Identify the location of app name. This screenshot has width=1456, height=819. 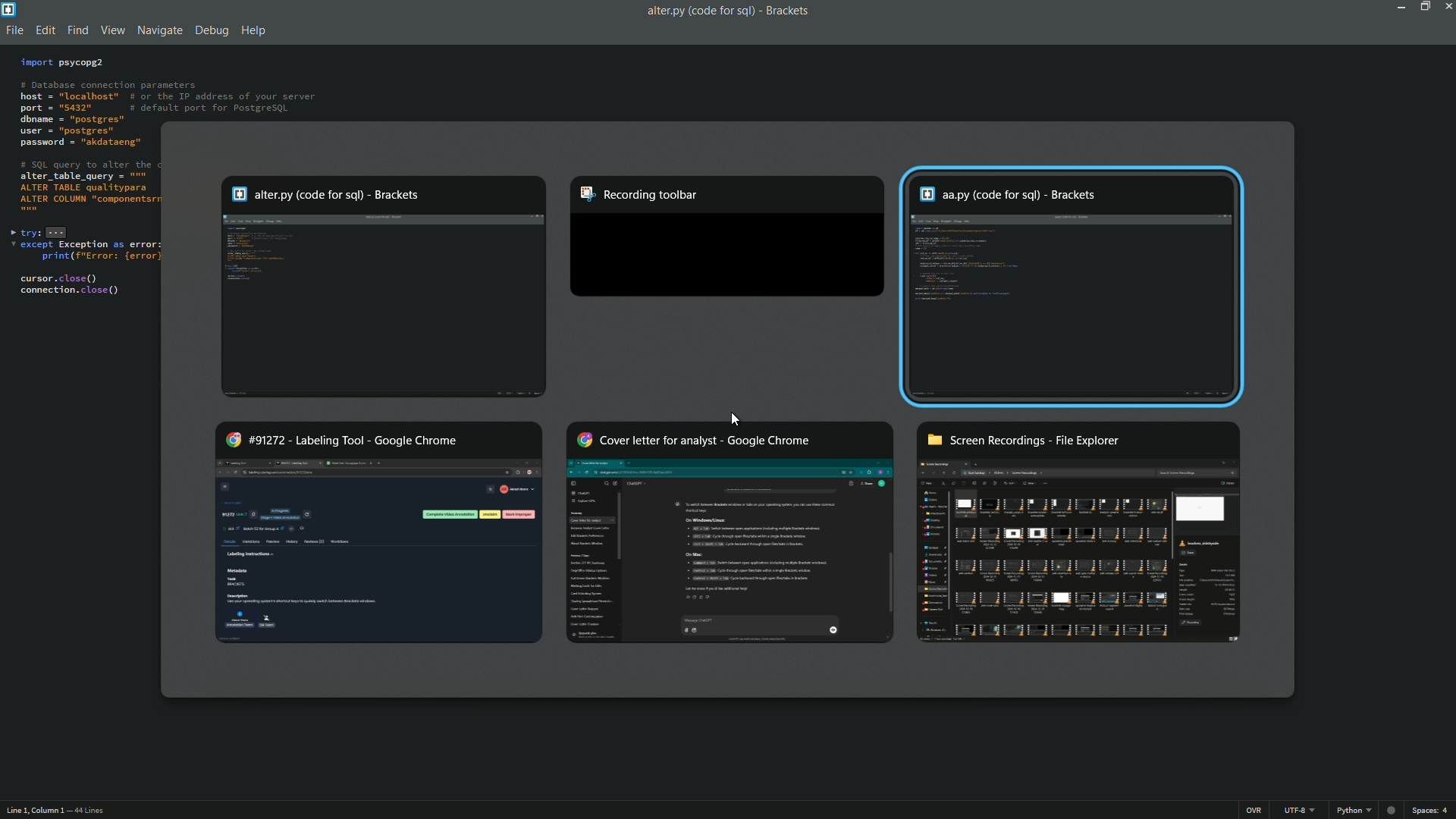
(789, 9).